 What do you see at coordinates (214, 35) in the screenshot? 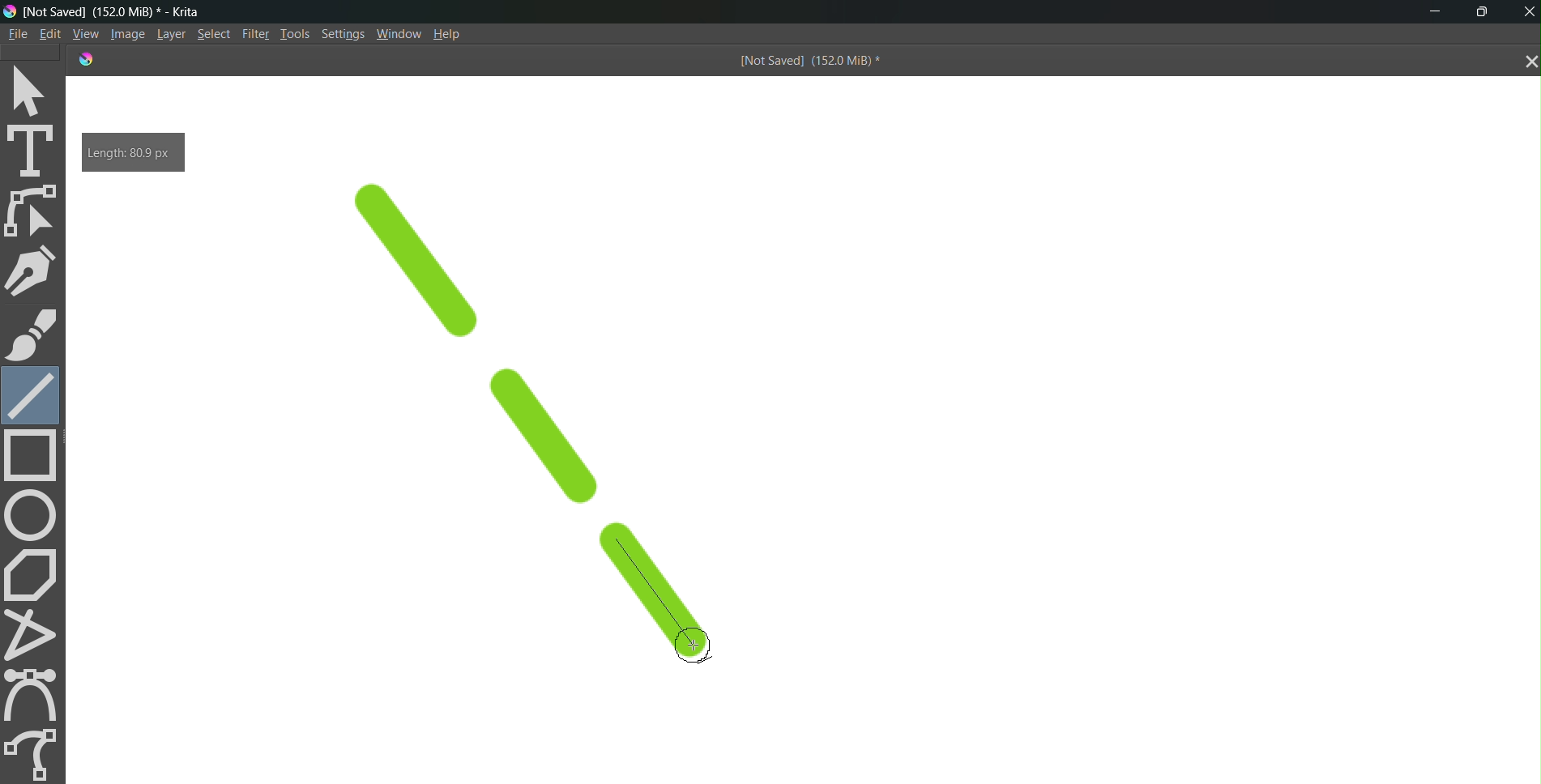
I see `Select` at bounding box center [214, 35].